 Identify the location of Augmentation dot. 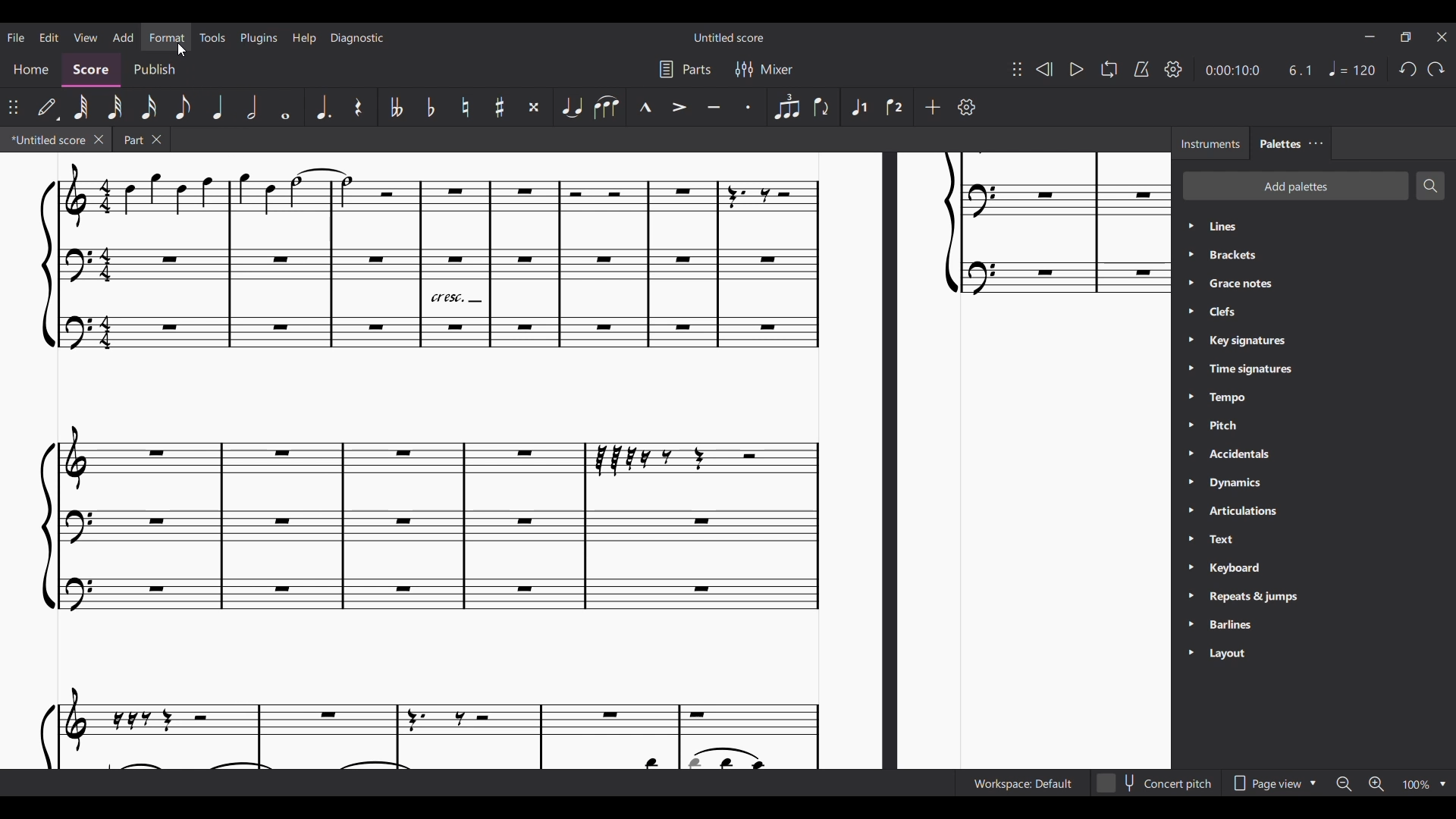
(323, 107).